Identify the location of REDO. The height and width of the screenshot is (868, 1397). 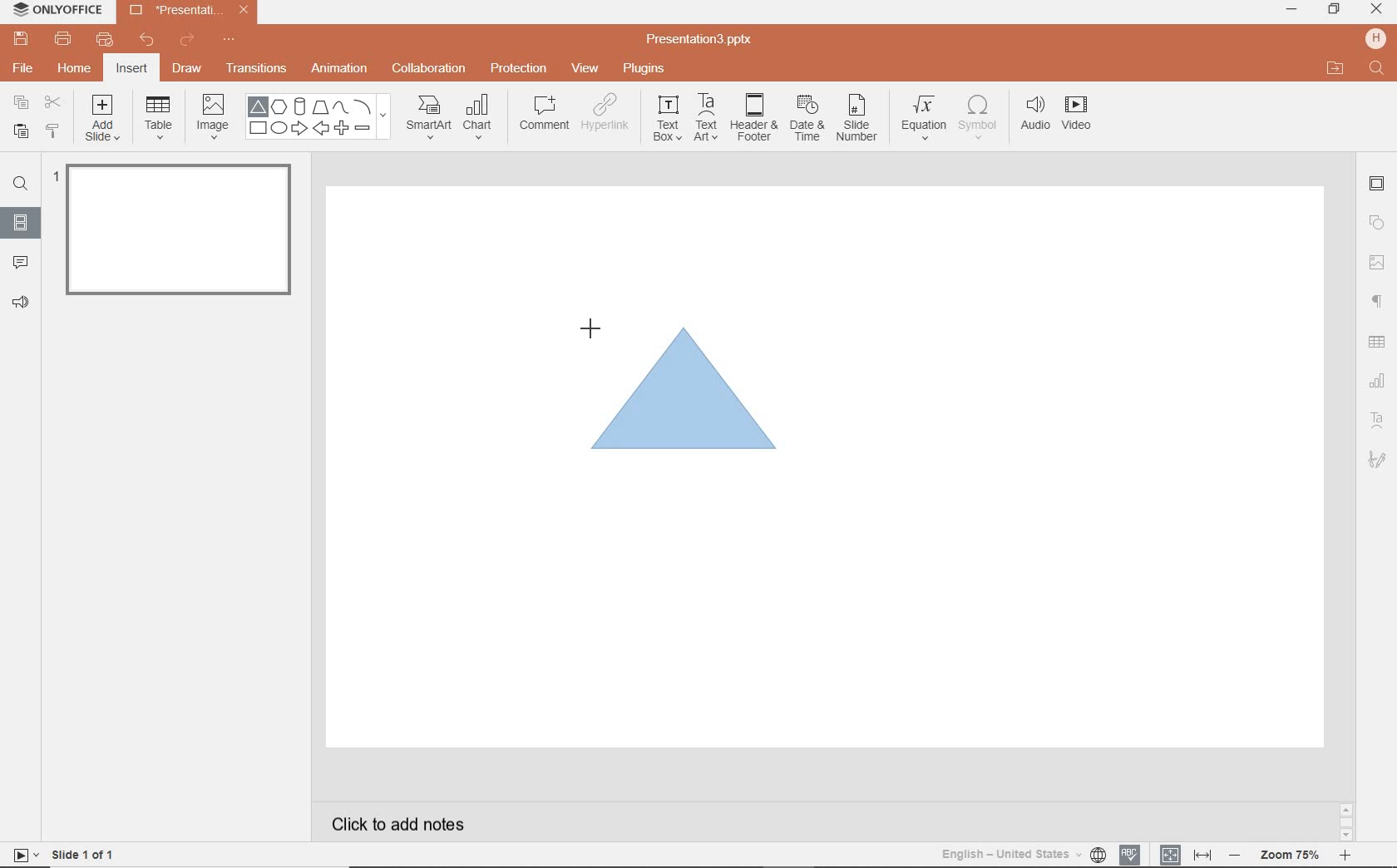
(189, 41).